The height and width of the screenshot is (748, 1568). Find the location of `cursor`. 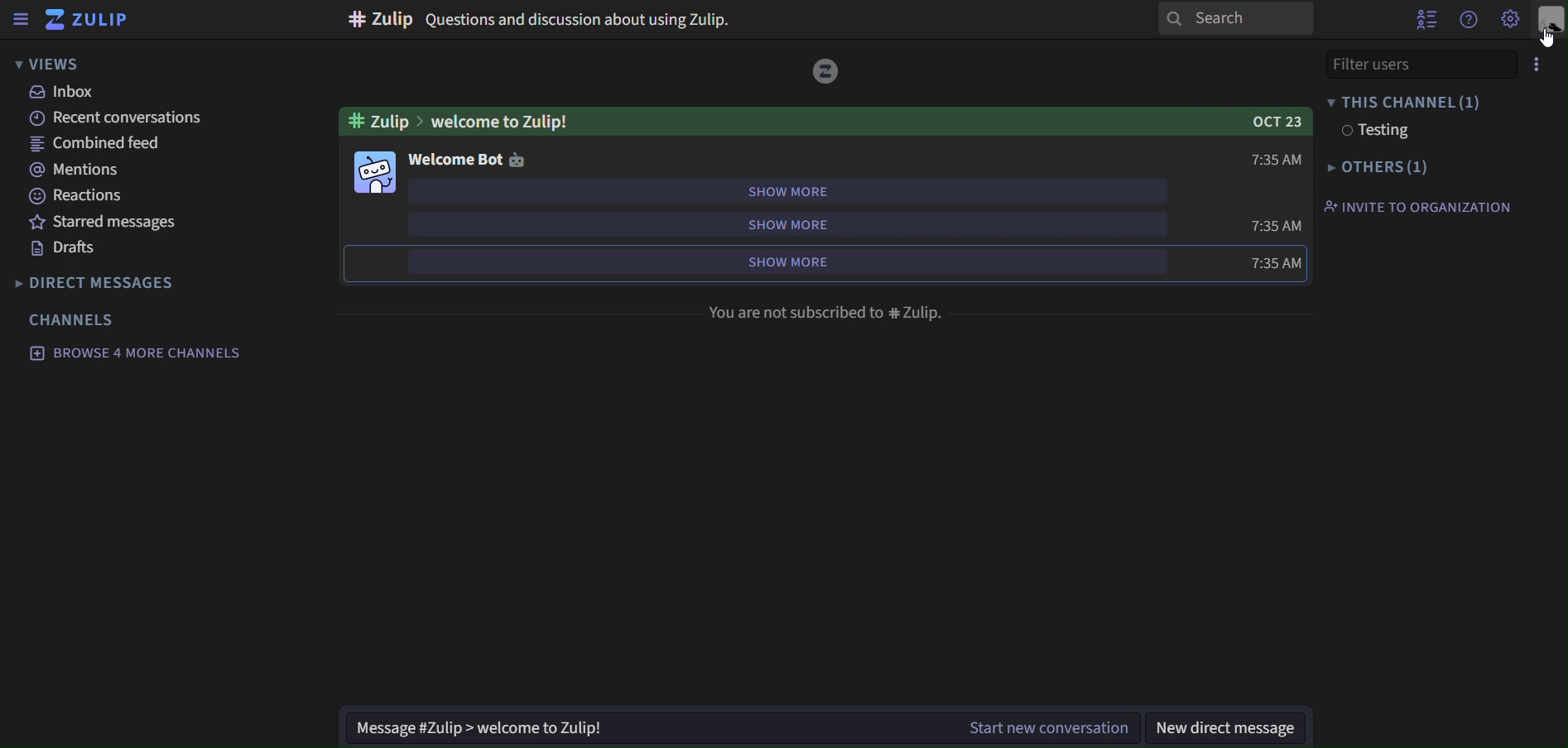

cursor is located at coordinates (1546, 38).